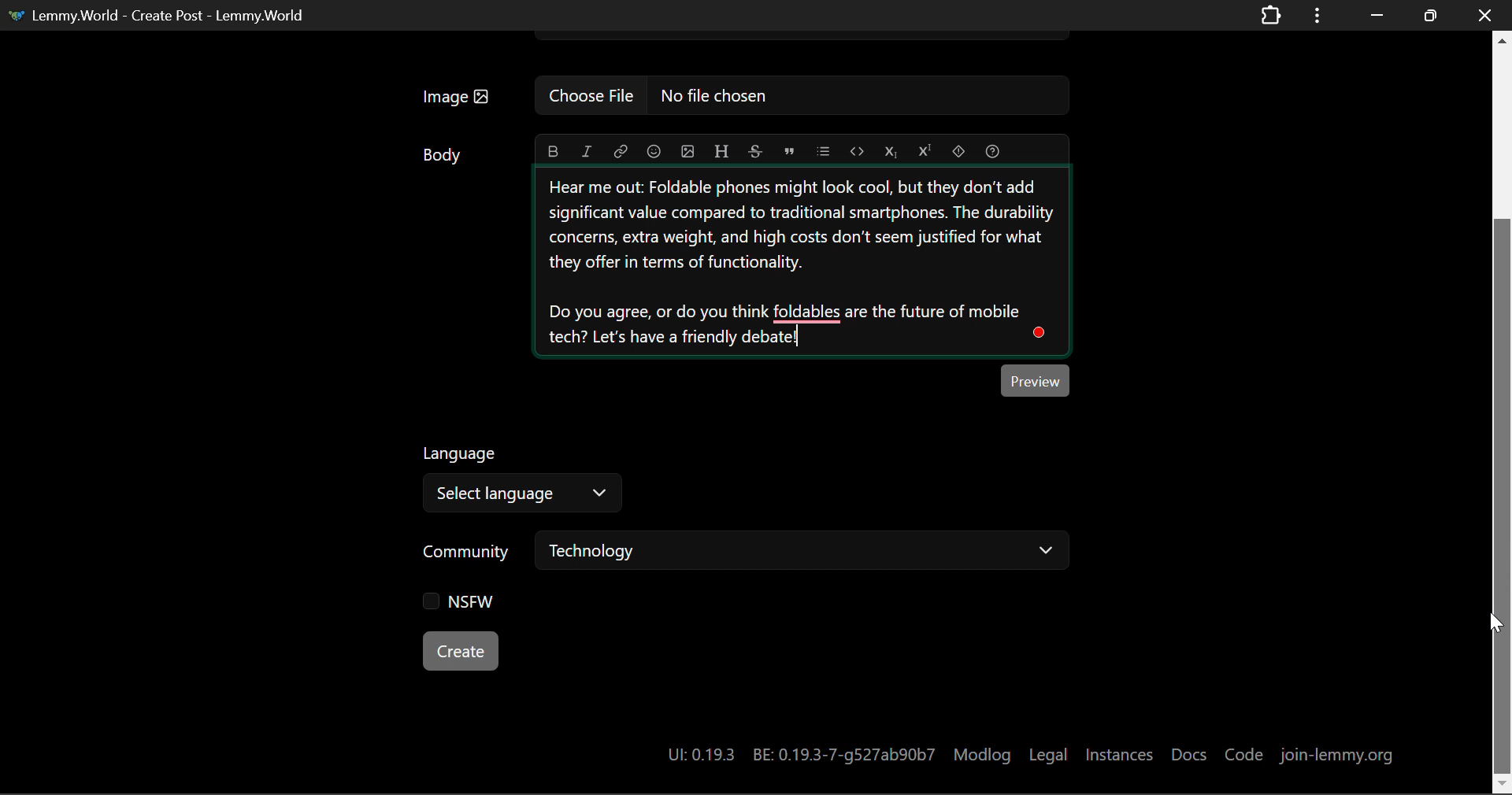 This screenshot has height=795, width=1512. What do you see at coordinates (824, 150) in the screenshot?
I see `list` at bounding box center [824, 150].